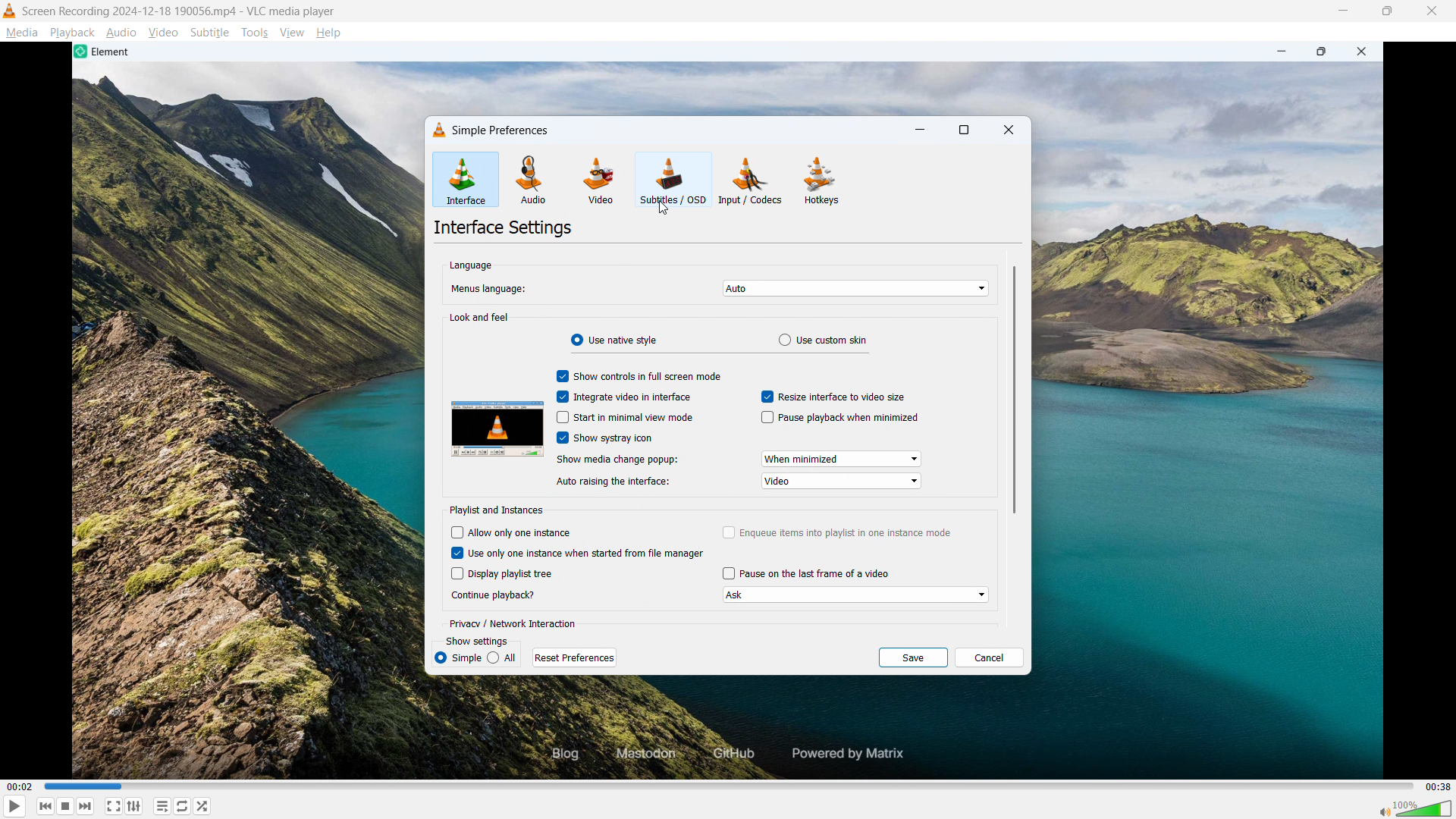 Image resolution: width=1456 pixels, height=819 pixels. What do you see at coordinates (121, 33) in the screenshot?
I see `Audio ` at bounding box center [121, 33].